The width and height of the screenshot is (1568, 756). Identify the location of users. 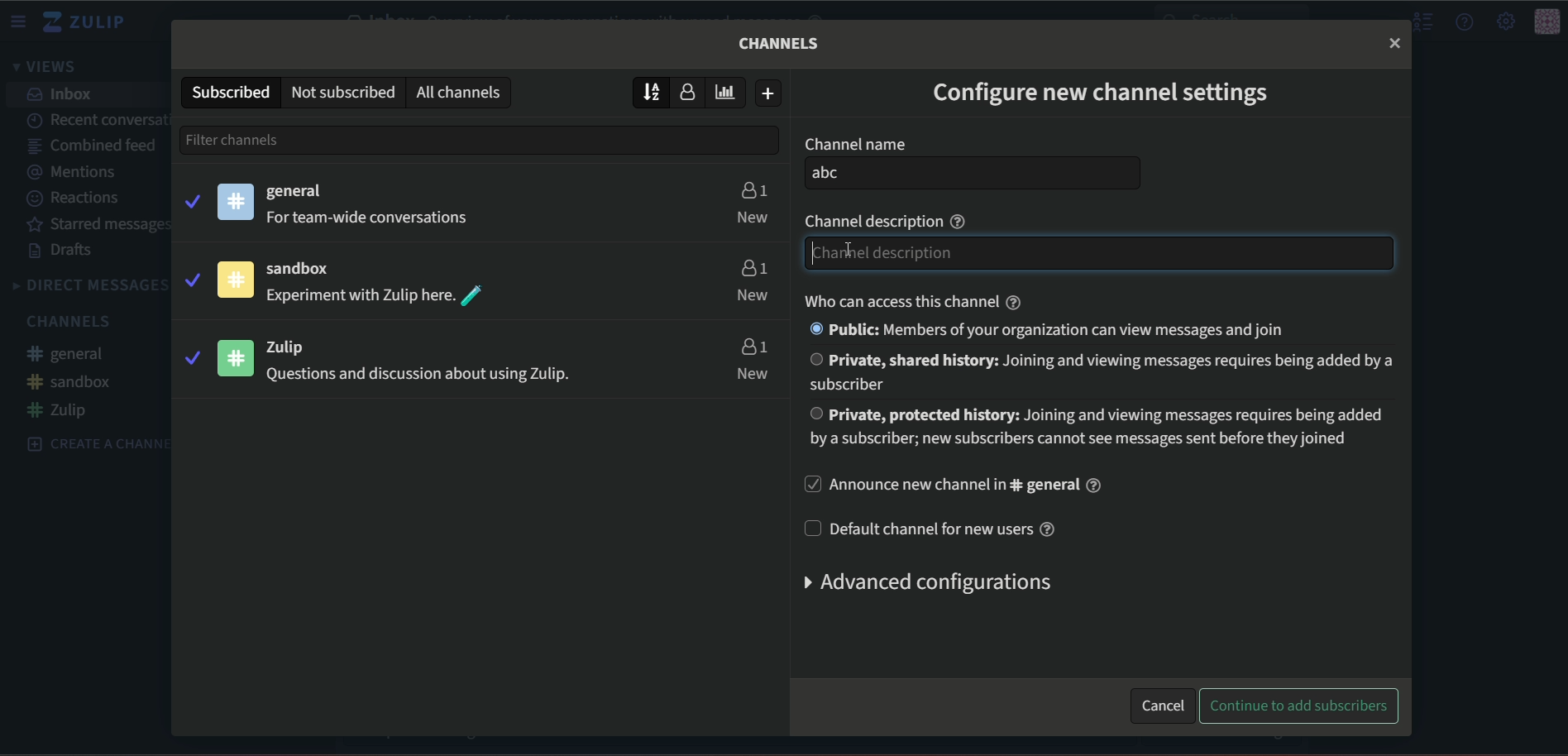
(753, 346).